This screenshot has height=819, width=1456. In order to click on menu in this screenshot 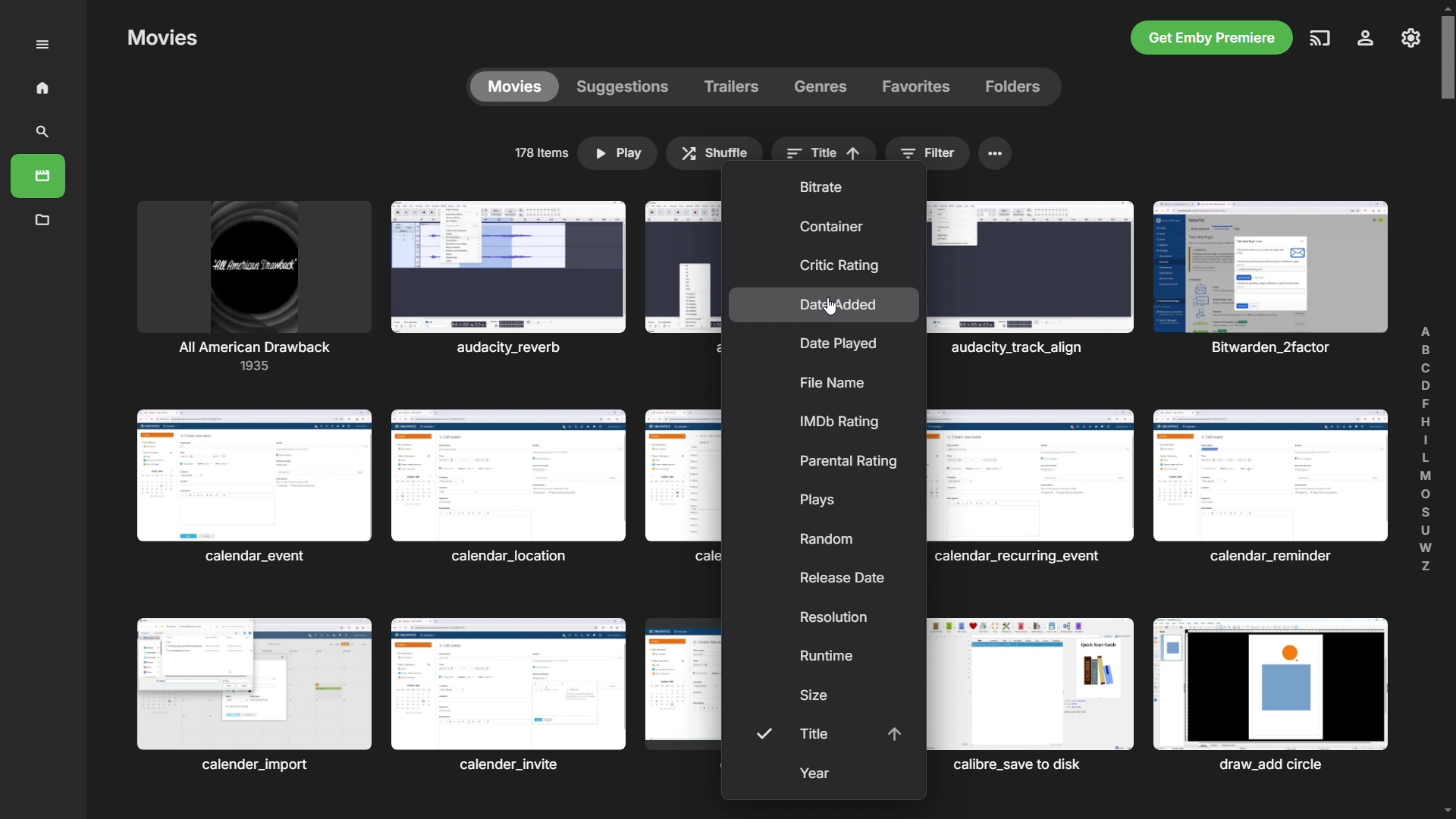, I will do `click(42, 42)`.